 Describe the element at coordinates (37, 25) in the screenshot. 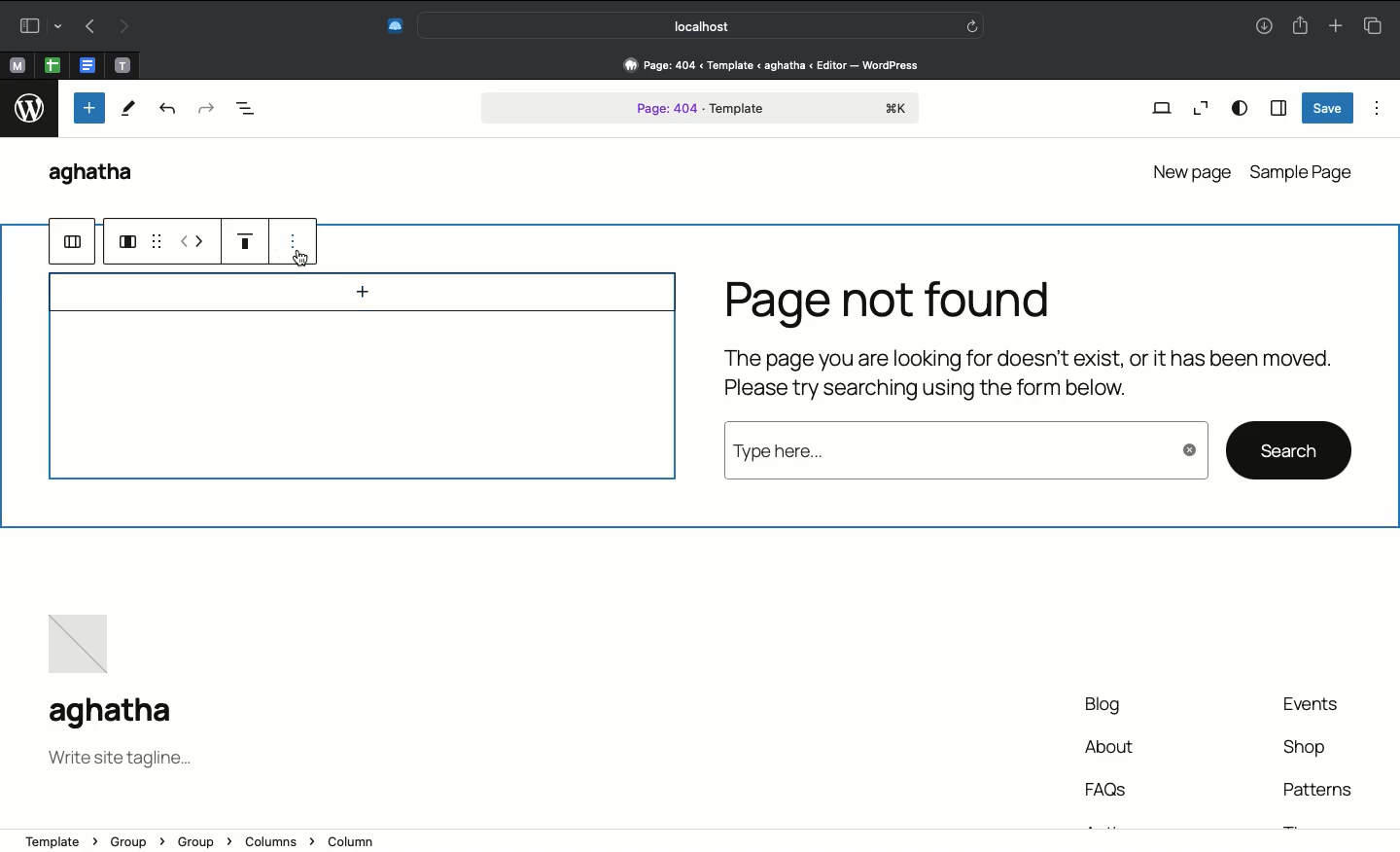

I see `Sidebar` at that location.